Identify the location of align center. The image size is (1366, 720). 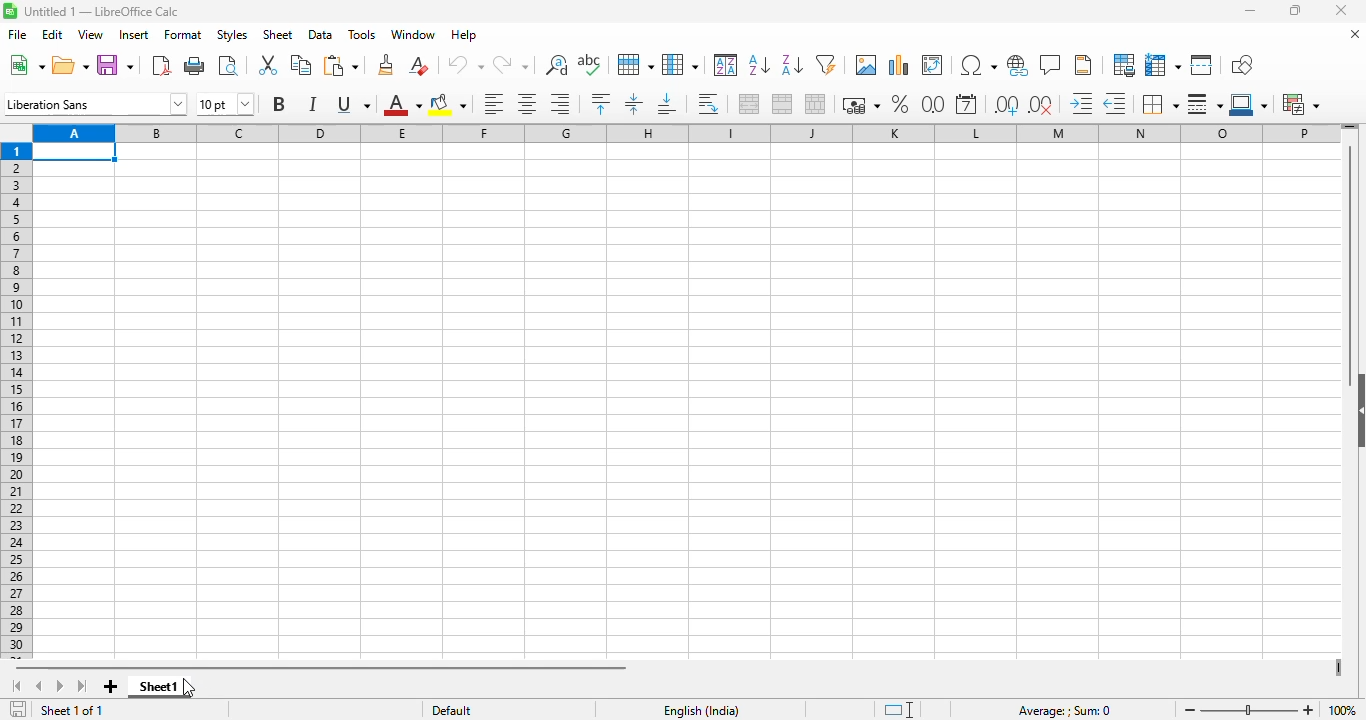
(528, 104).